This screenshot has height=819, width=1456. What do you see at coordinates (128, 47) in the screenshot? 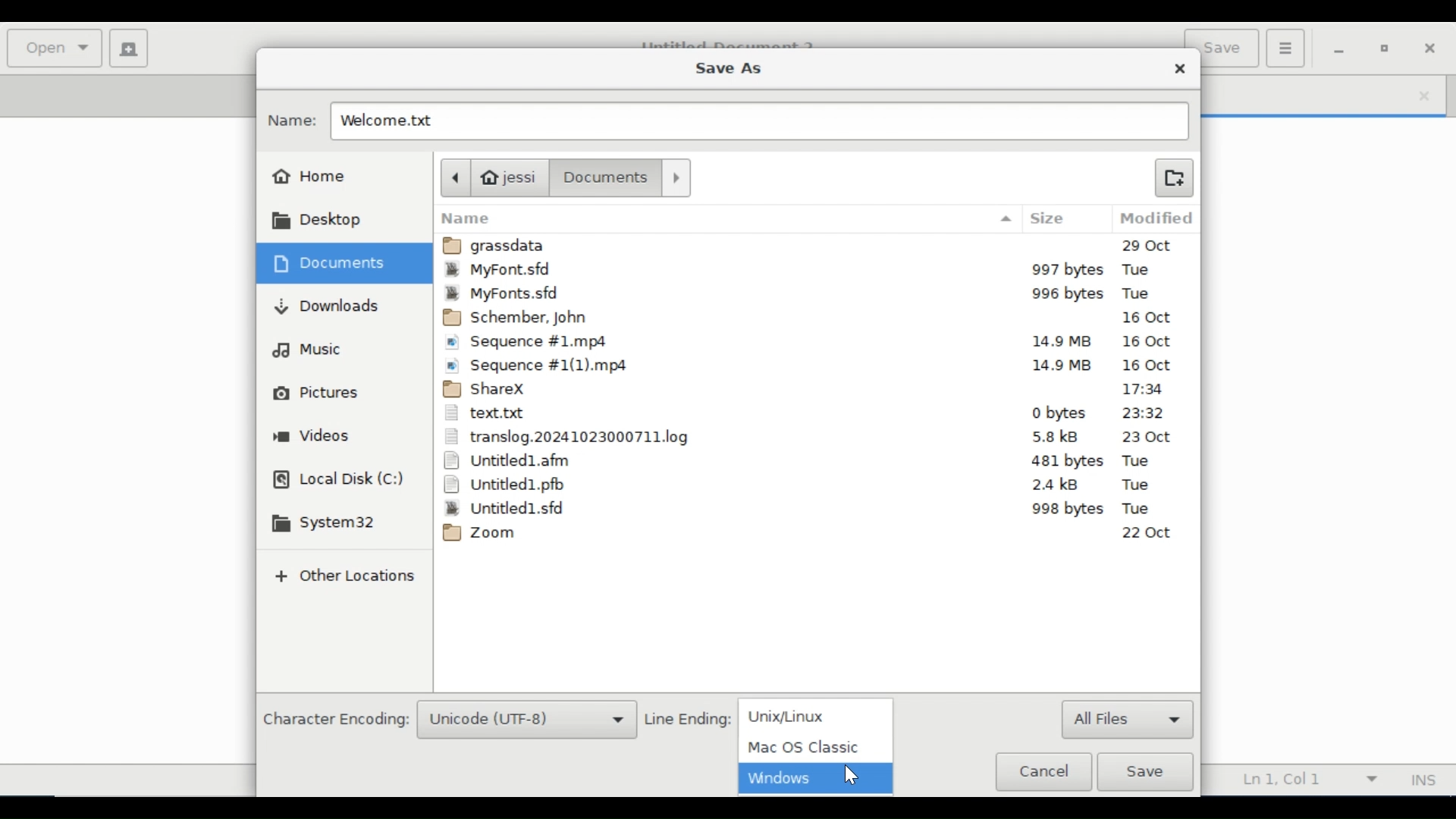
I see `Create new document` at bounding box center [128, 47].